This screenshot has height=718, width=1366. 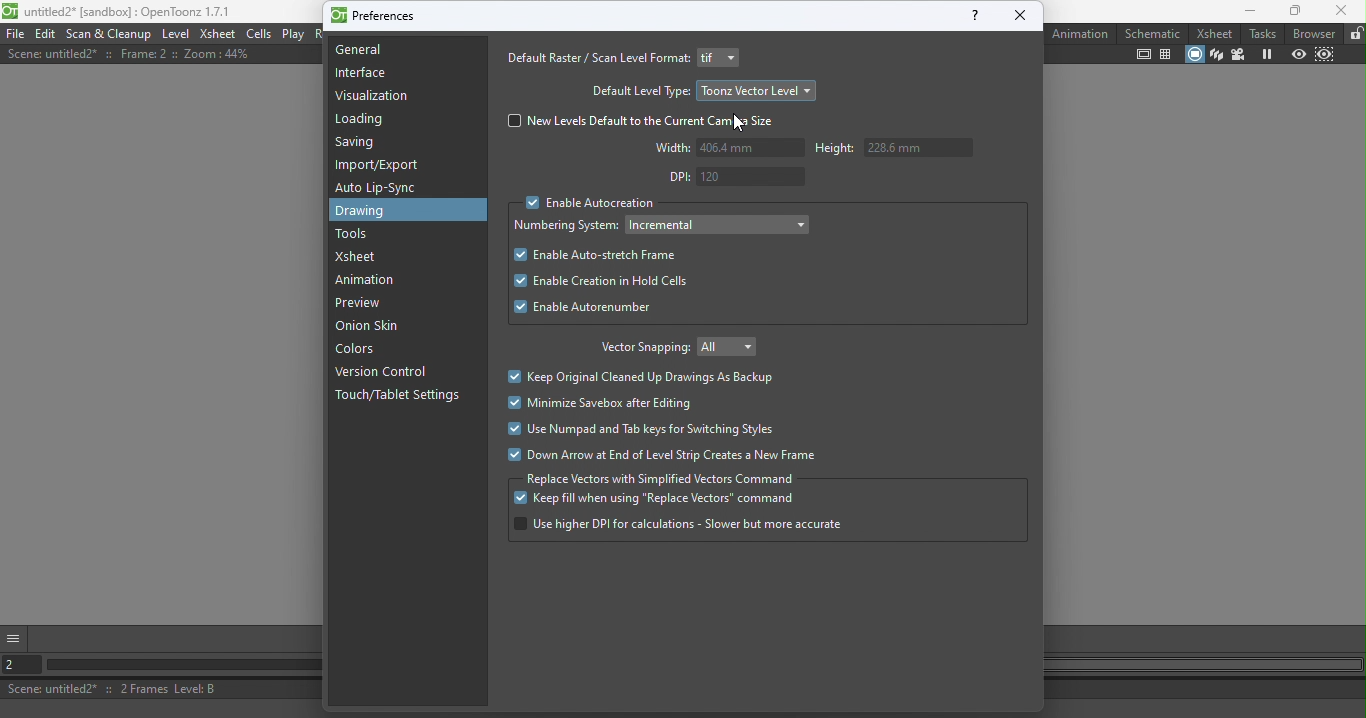 I want to click on More options, so click(x=14, y=636).